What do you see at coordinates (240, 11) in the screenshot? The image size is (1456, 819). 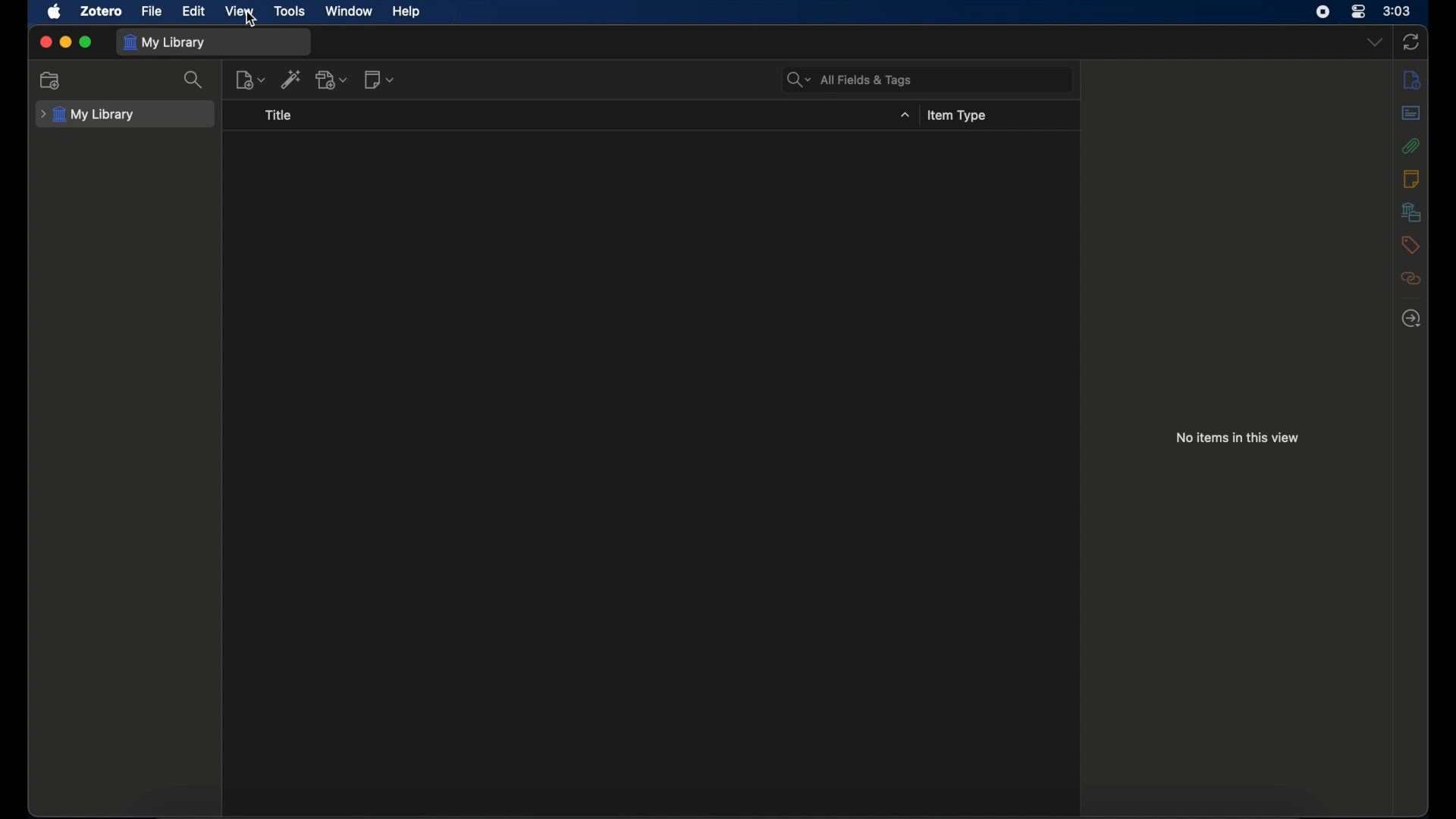 I see `view` at bounding box center [240, 11].